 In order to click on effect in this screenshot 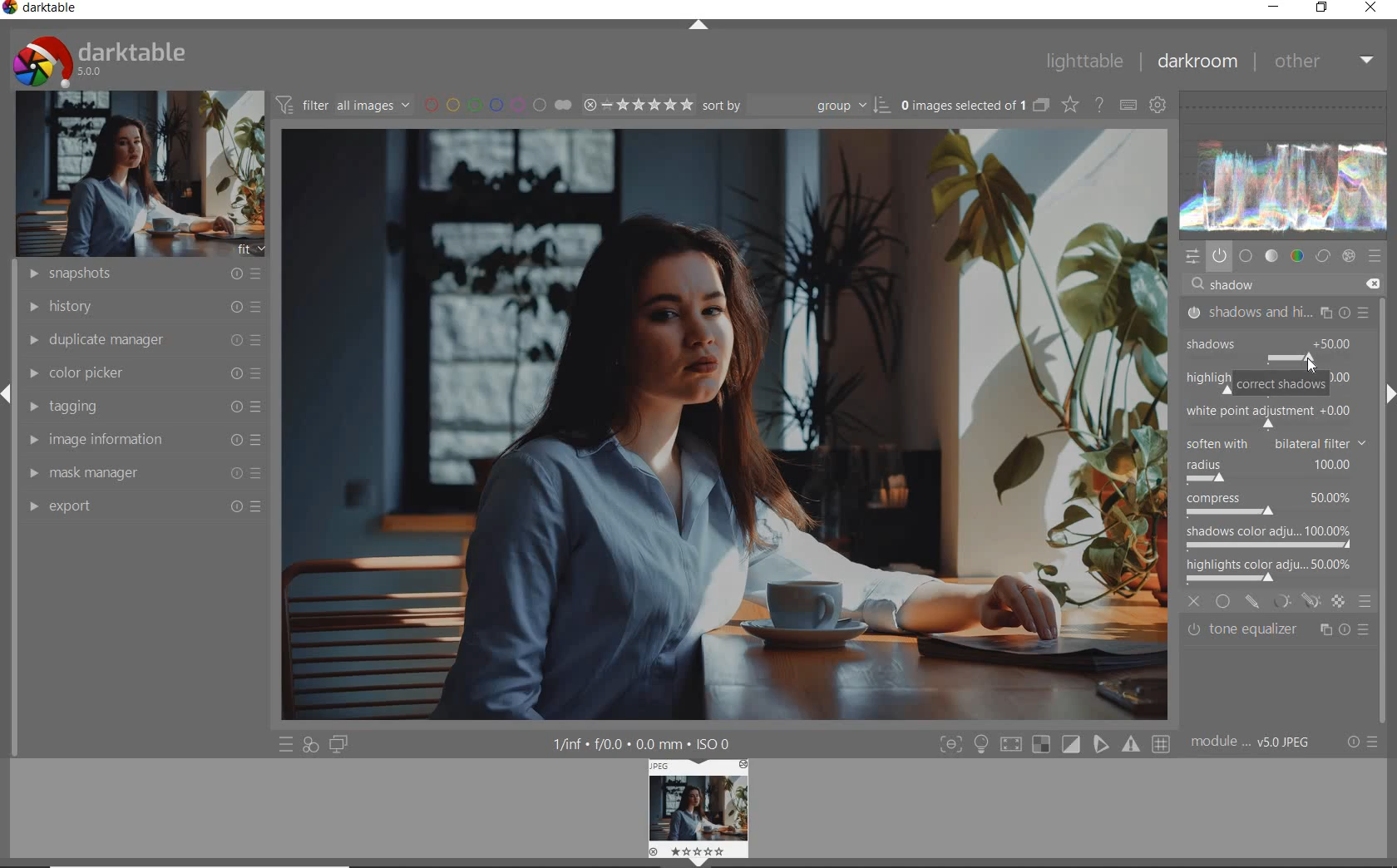, I will do `click(1350, 256)`.